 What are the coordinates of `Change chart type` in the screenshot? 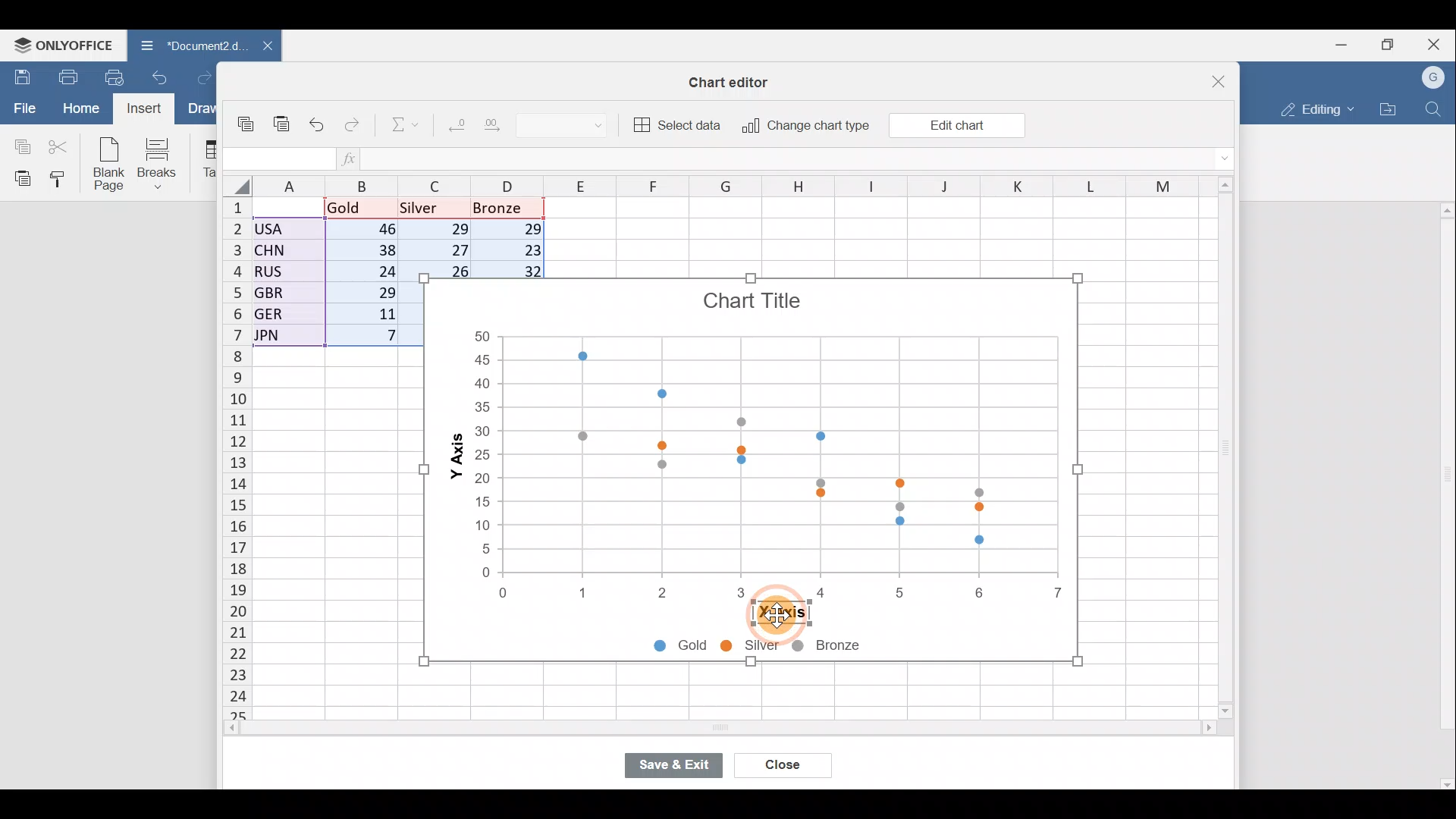 It's located at (805, 126).